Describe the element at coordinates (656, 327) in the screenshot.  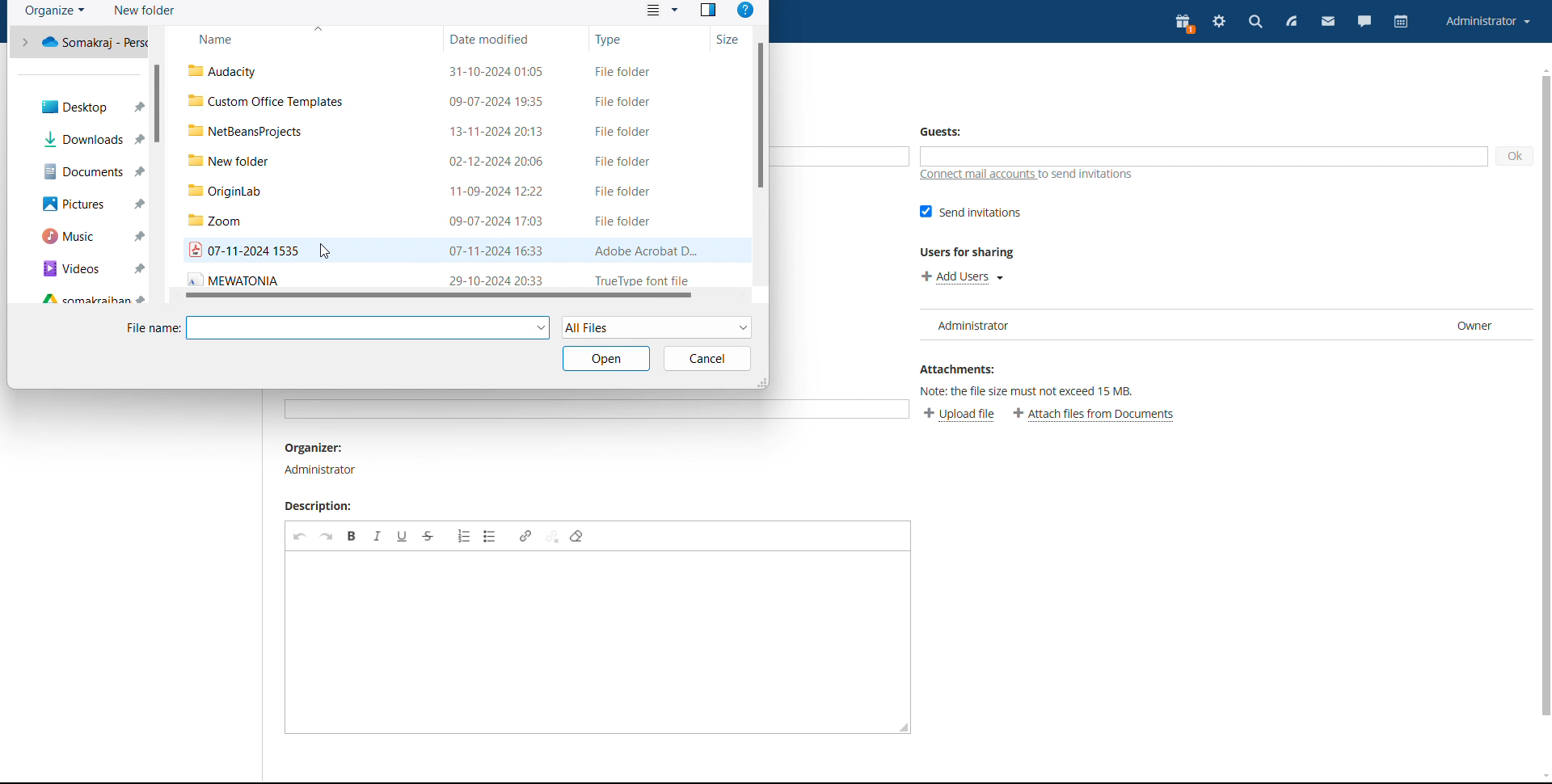
I see `select file type` at that location.